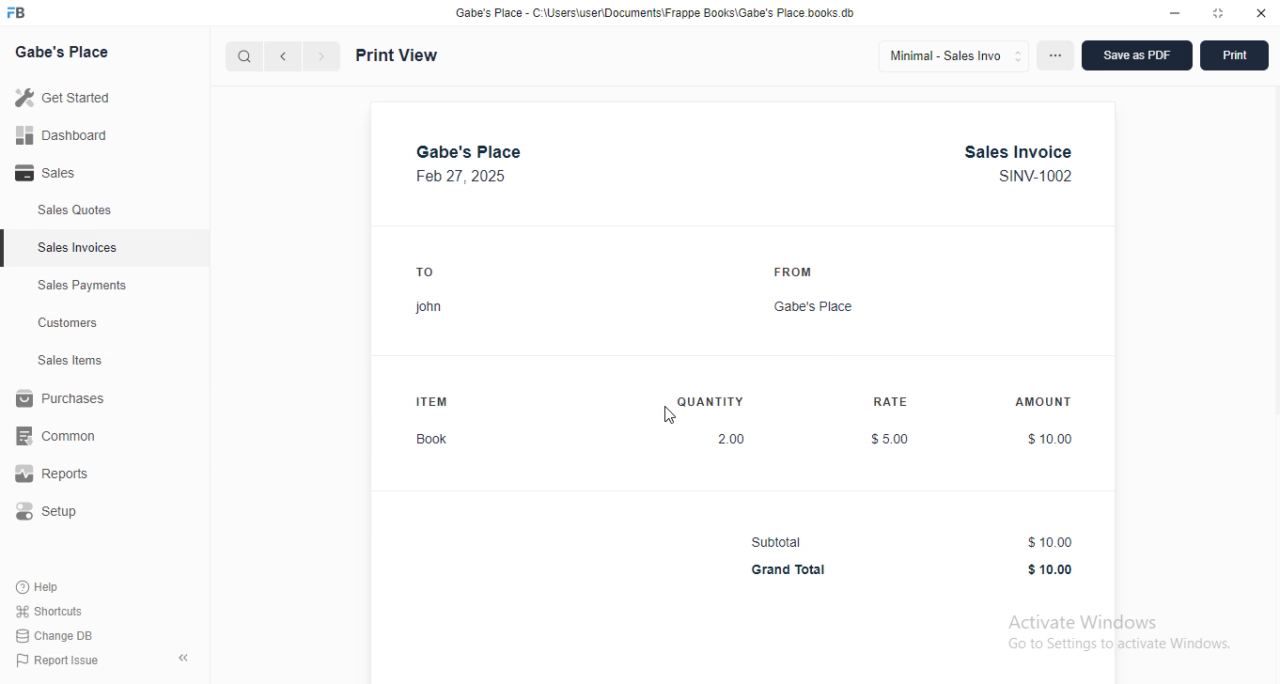  What do you see at coordinates (1175, 13) in the screenshot?
I see `minimize` at bounding box center [1175, 13].